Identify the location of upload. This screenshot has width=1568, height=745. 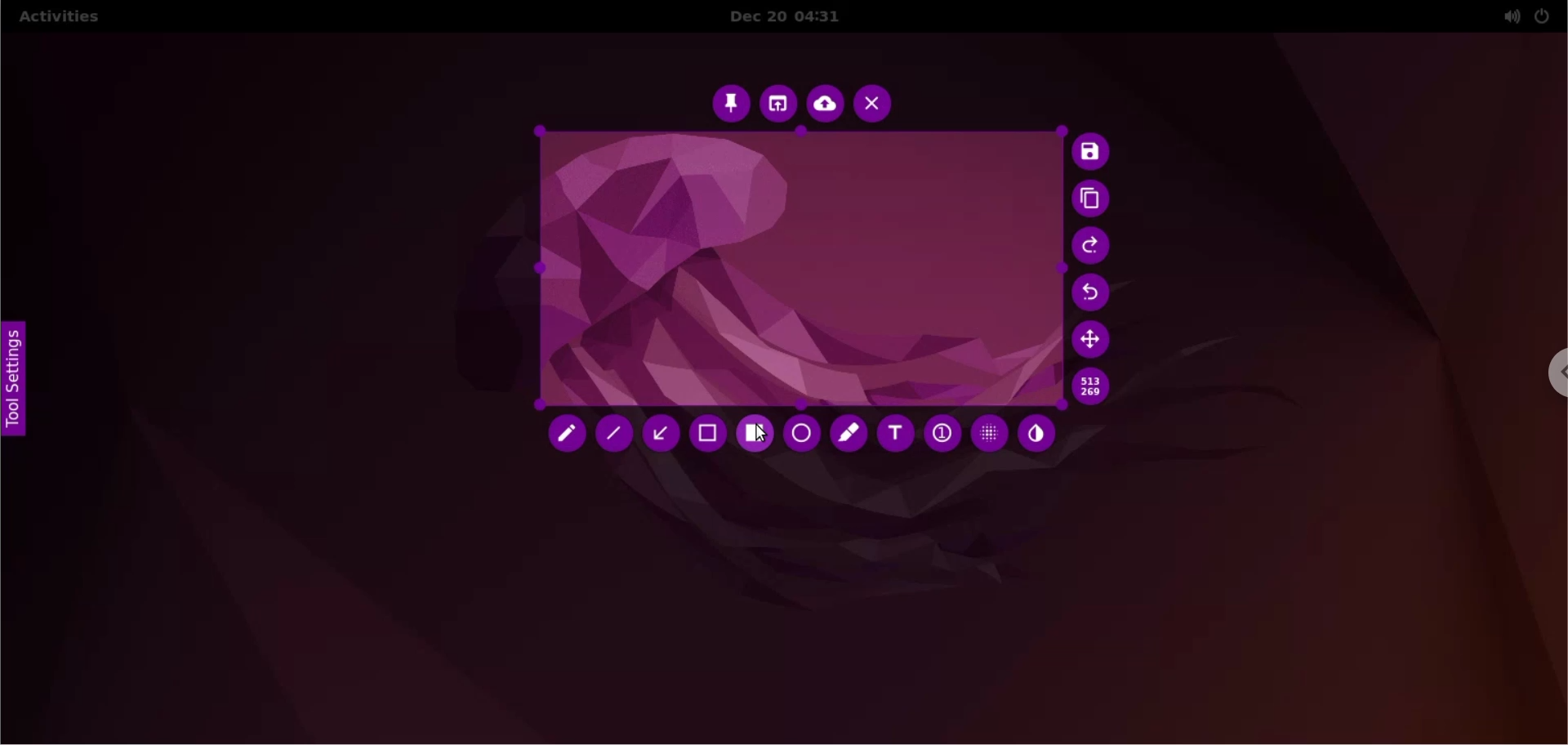
(825, 104).